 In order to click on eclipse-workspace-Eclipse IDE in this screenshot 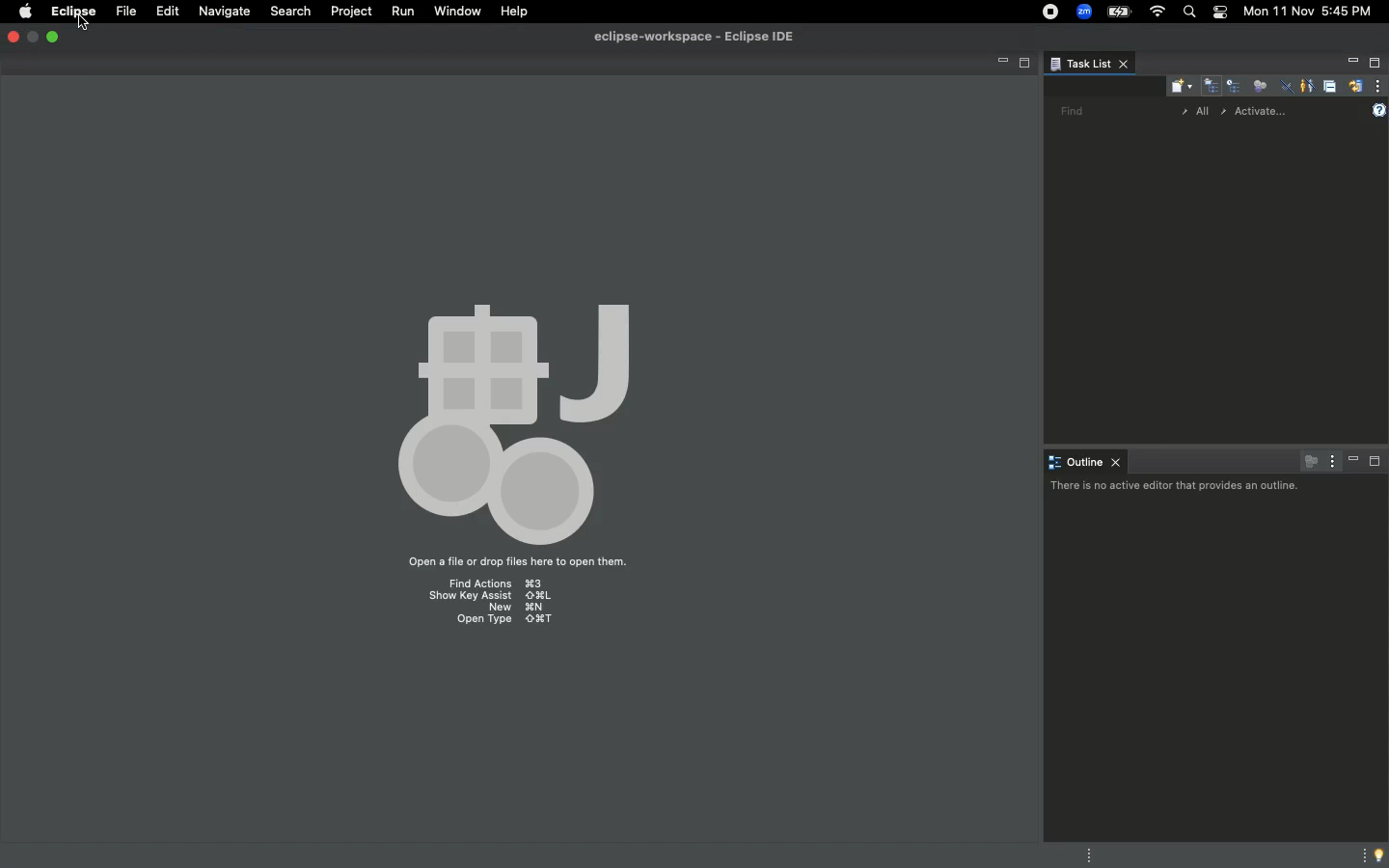, I will do `click(691, 38)`.